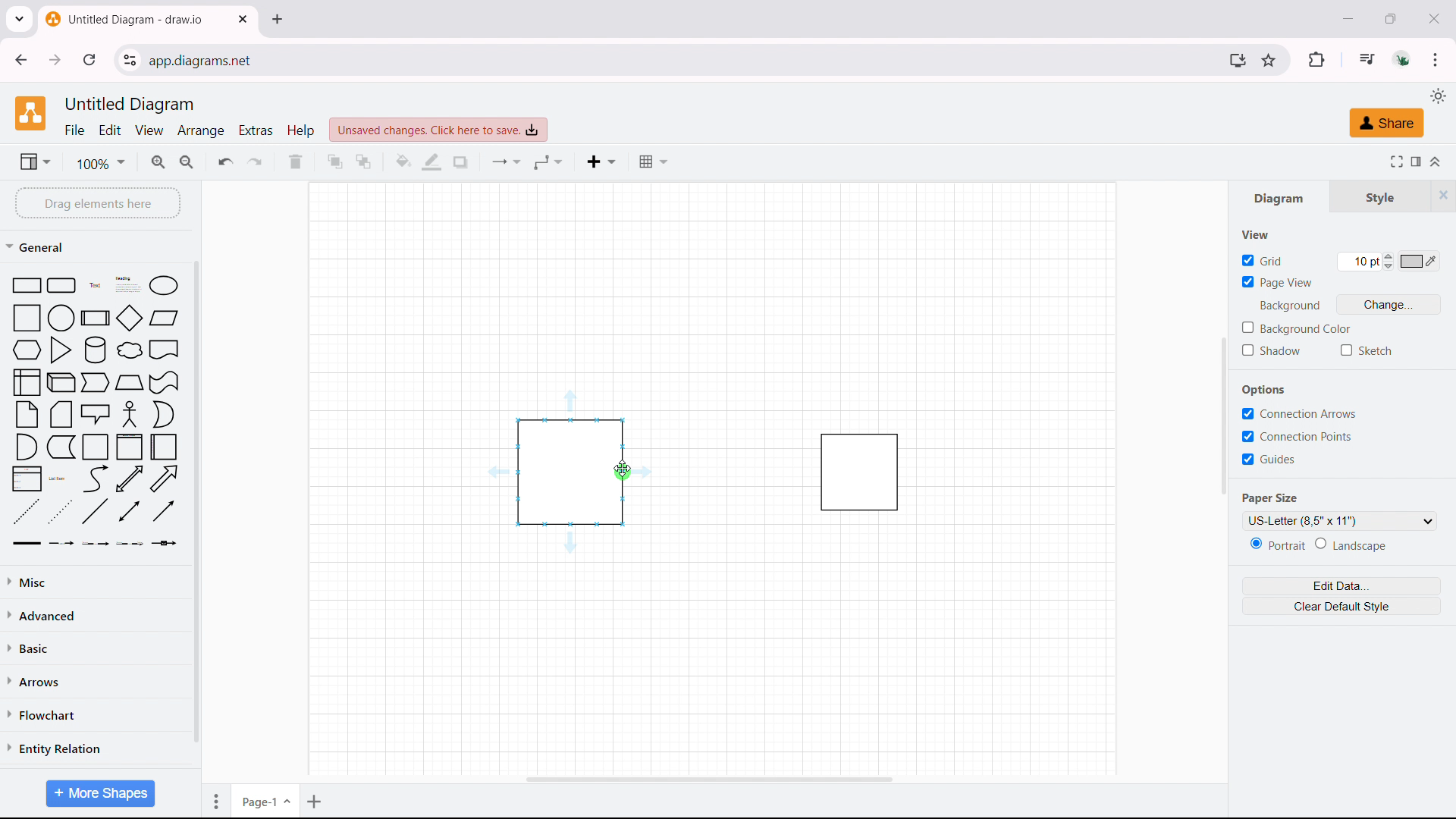 The height and width of the screenshot is (819, 1456). What do you see at coordinates (30, 113) in the screenshot?
I see `logo` at bounding box center [30, 113].